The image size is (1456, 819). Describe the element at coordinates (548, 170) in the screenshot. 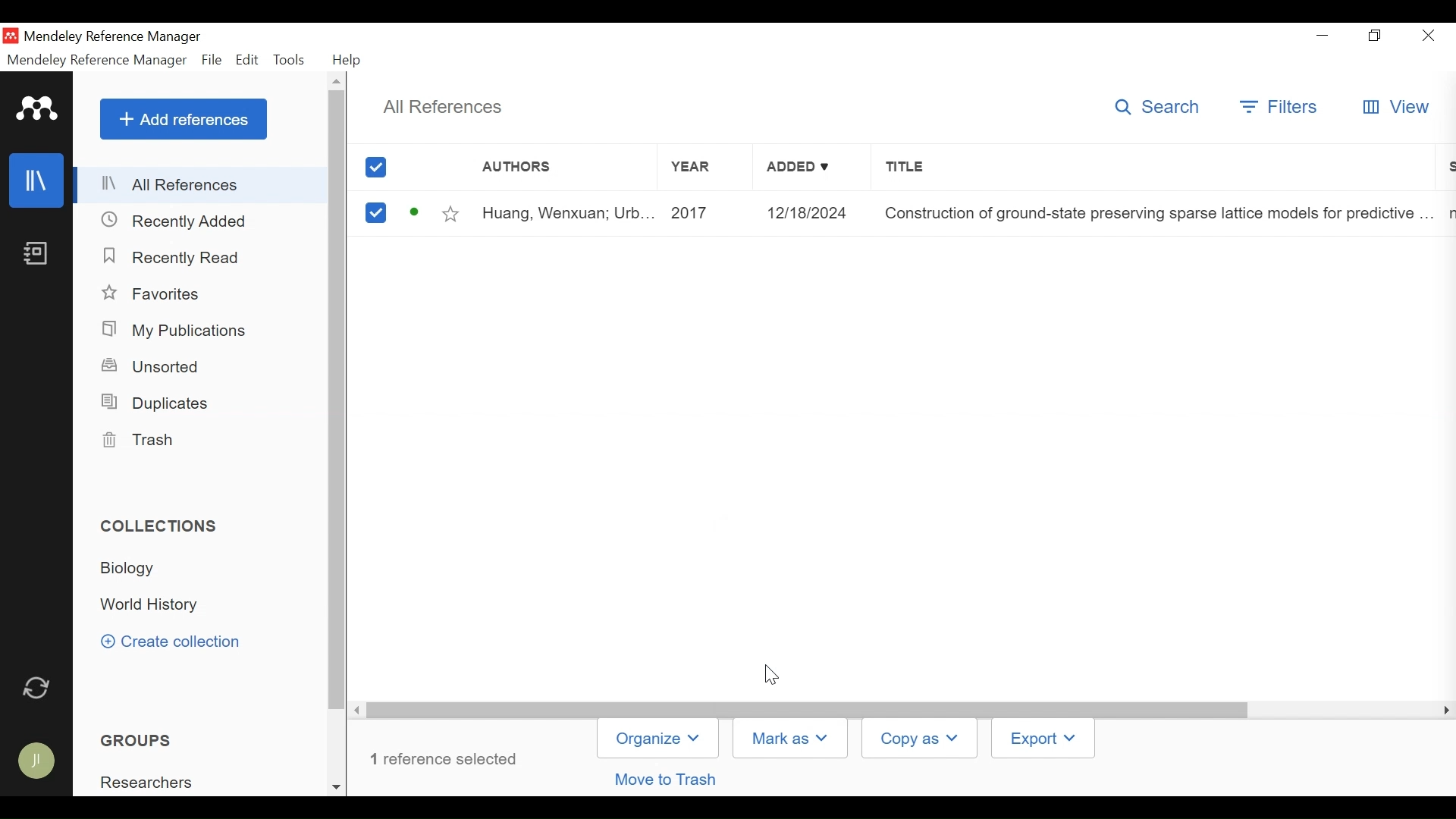

I see `Author` at that location.